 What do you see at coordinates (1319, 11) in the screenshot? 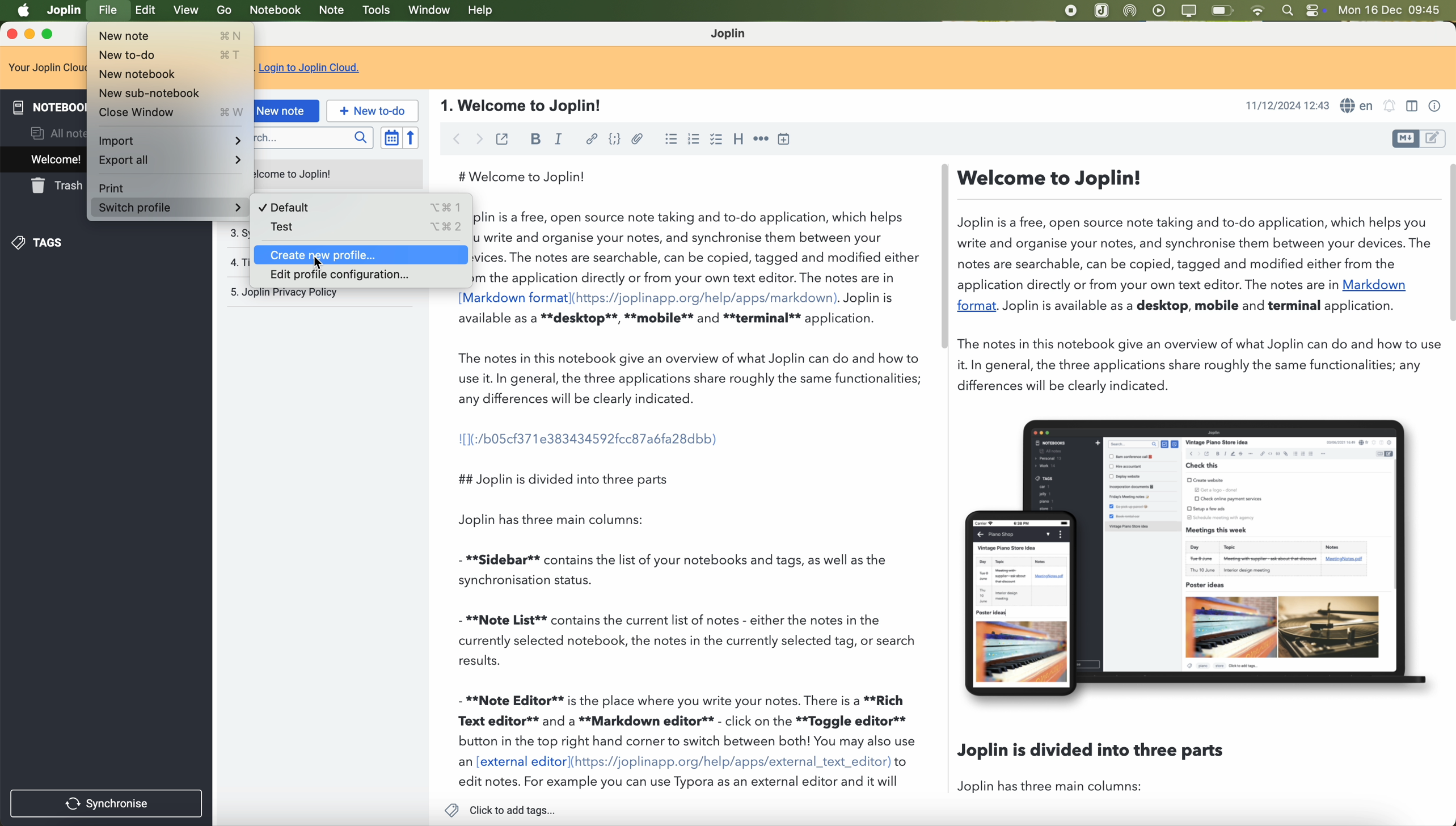
I see `controls` at bounding box center [1319, 11].